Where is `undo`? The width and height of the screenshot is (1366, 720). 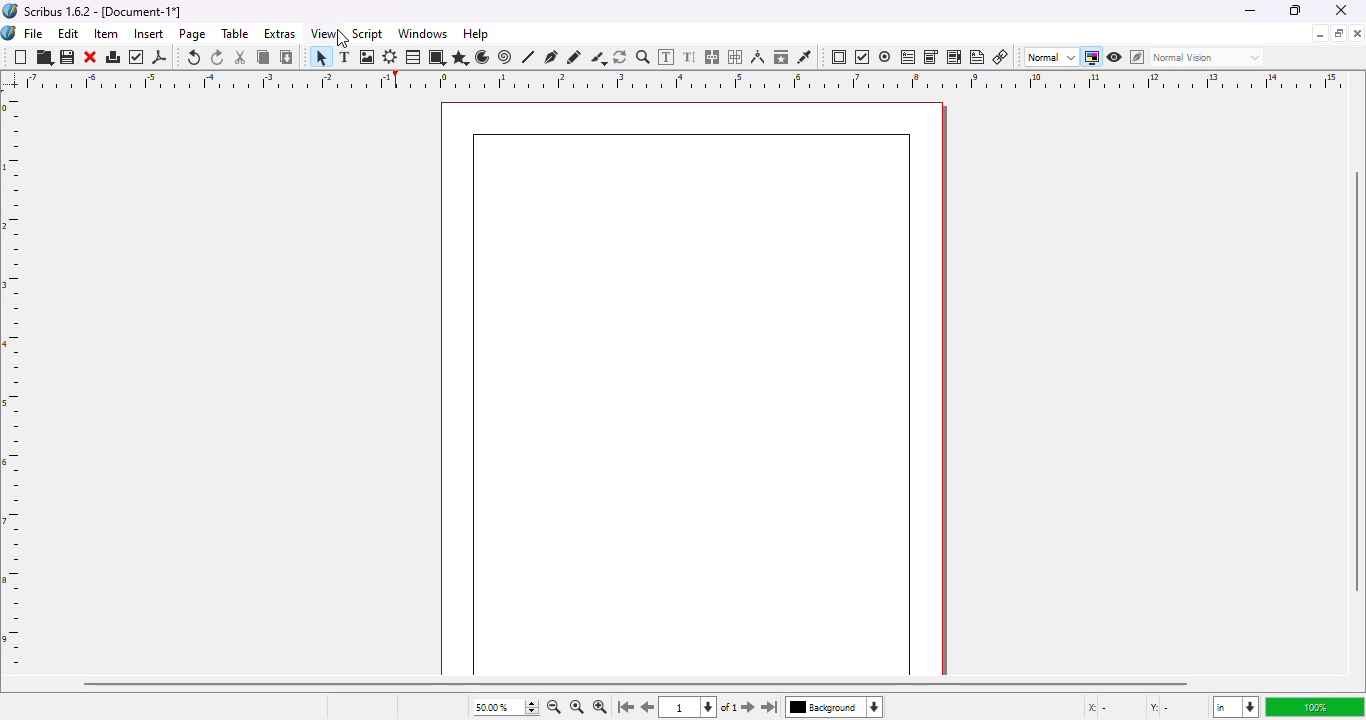
undo is located at coordinates (194, 57).